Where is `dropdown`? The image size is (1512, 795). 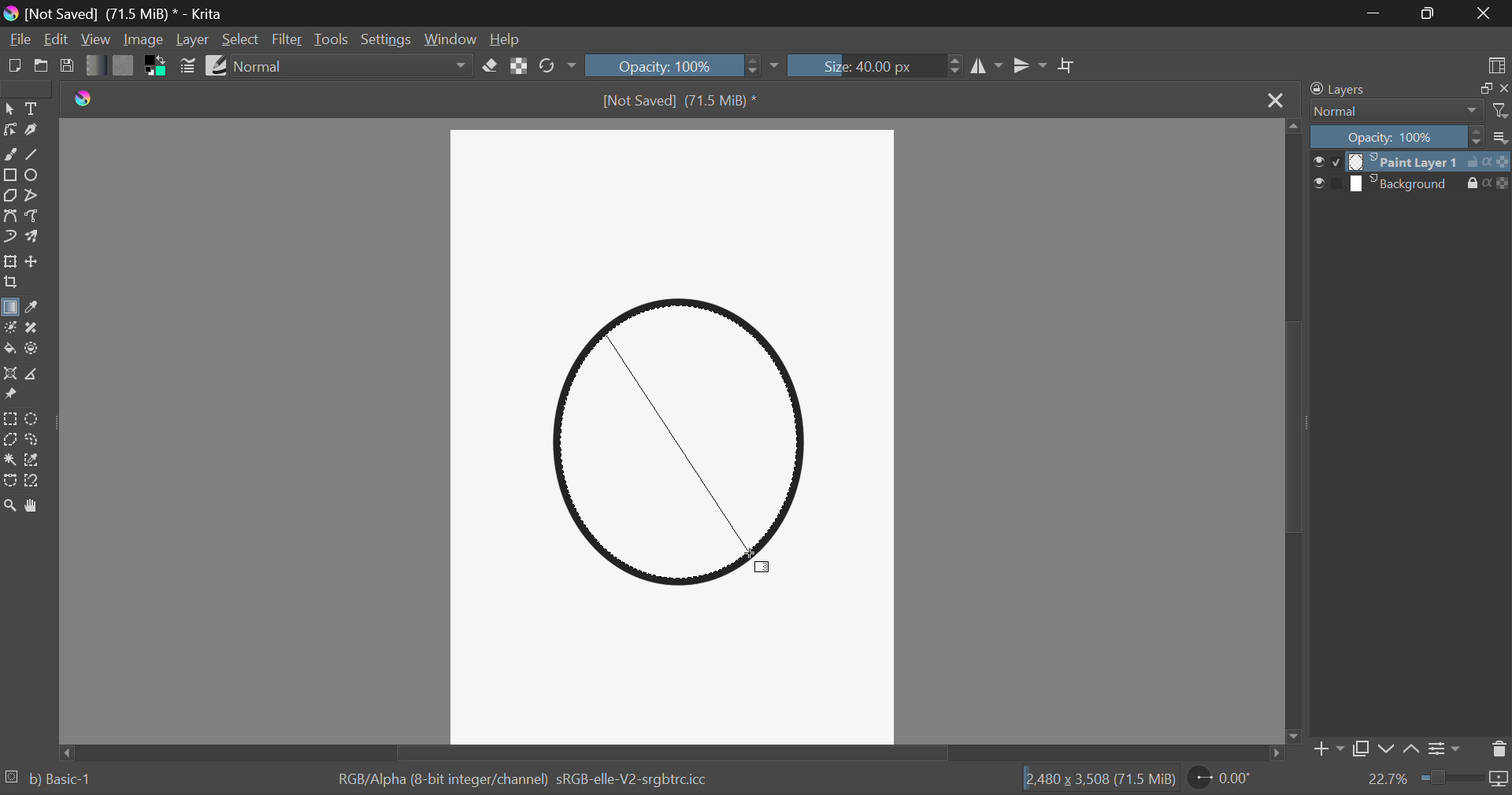
dropdown is located at coordinates (776, 67).